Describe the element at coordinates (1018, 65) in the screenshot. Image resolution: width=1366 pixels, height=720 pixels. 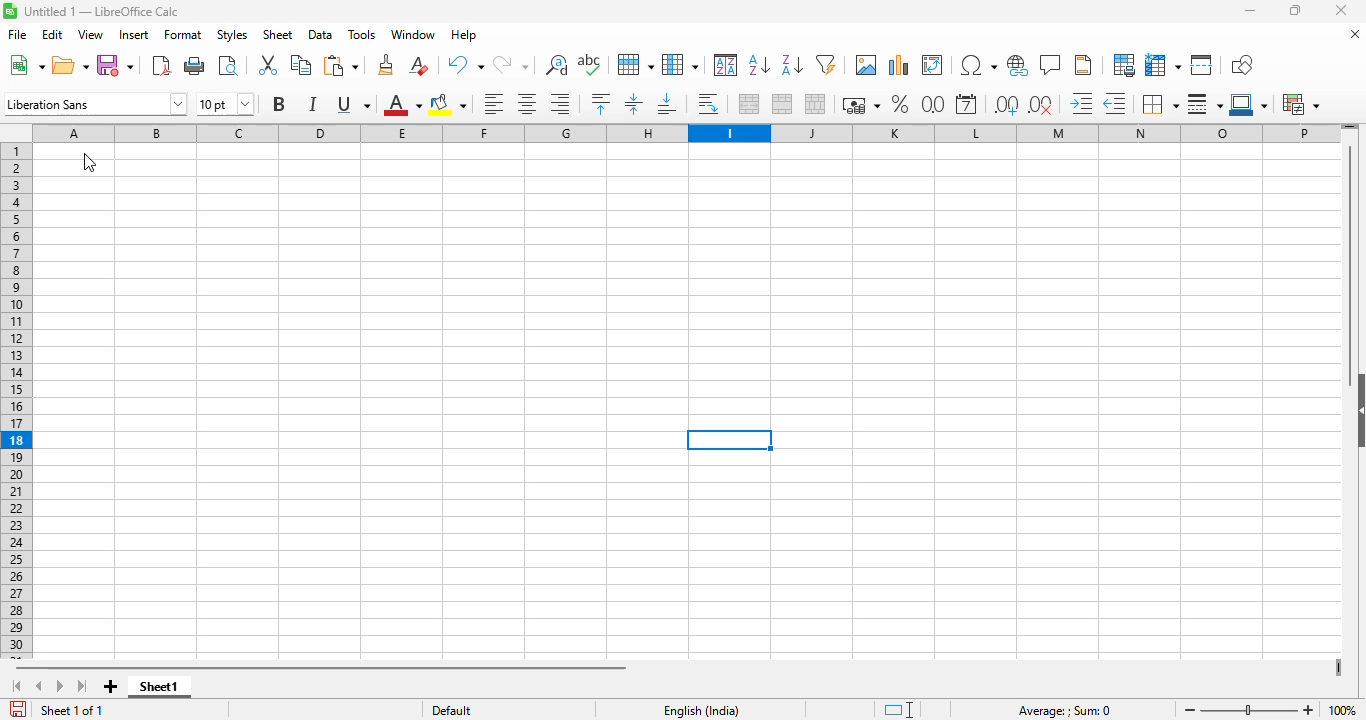
I see `insert hyperlink` at that location.